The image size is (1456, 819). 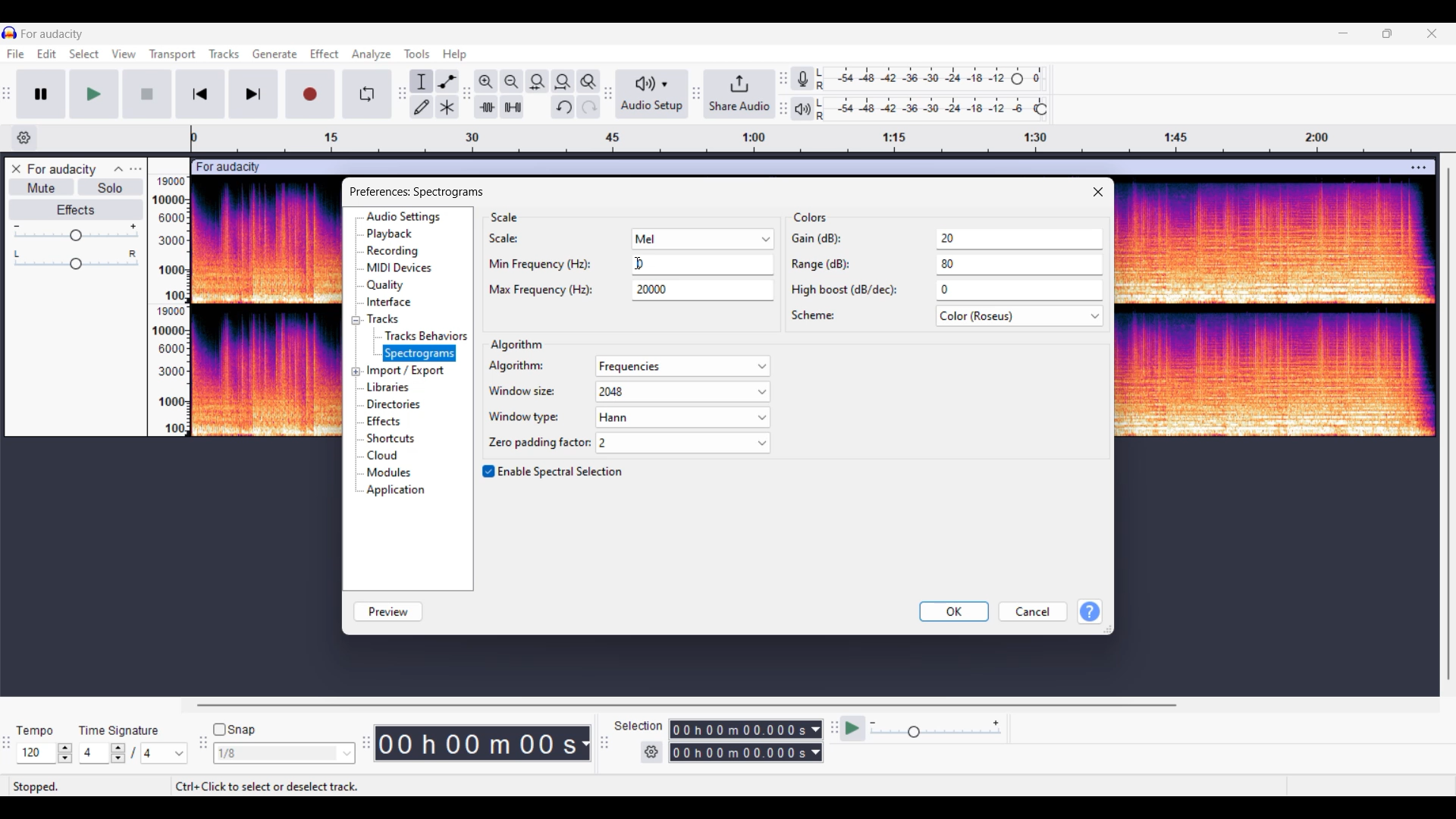 What do you see at coordinates (396, 234) in the screenshot?
I see `playback` at bounding box center [396, 234].